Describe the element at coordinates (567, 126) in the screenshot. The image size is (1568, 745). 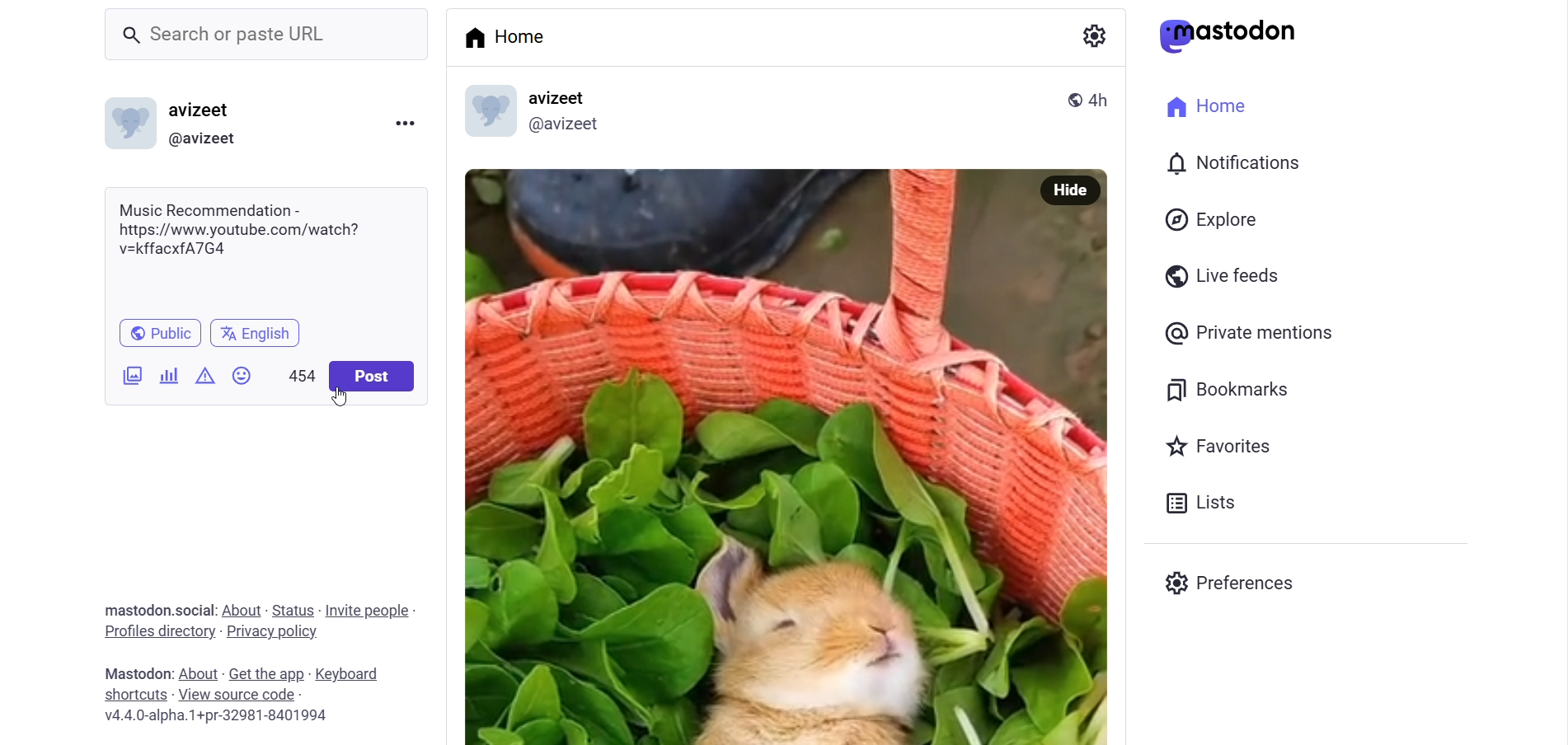
I see `@avizeetl` at that location.